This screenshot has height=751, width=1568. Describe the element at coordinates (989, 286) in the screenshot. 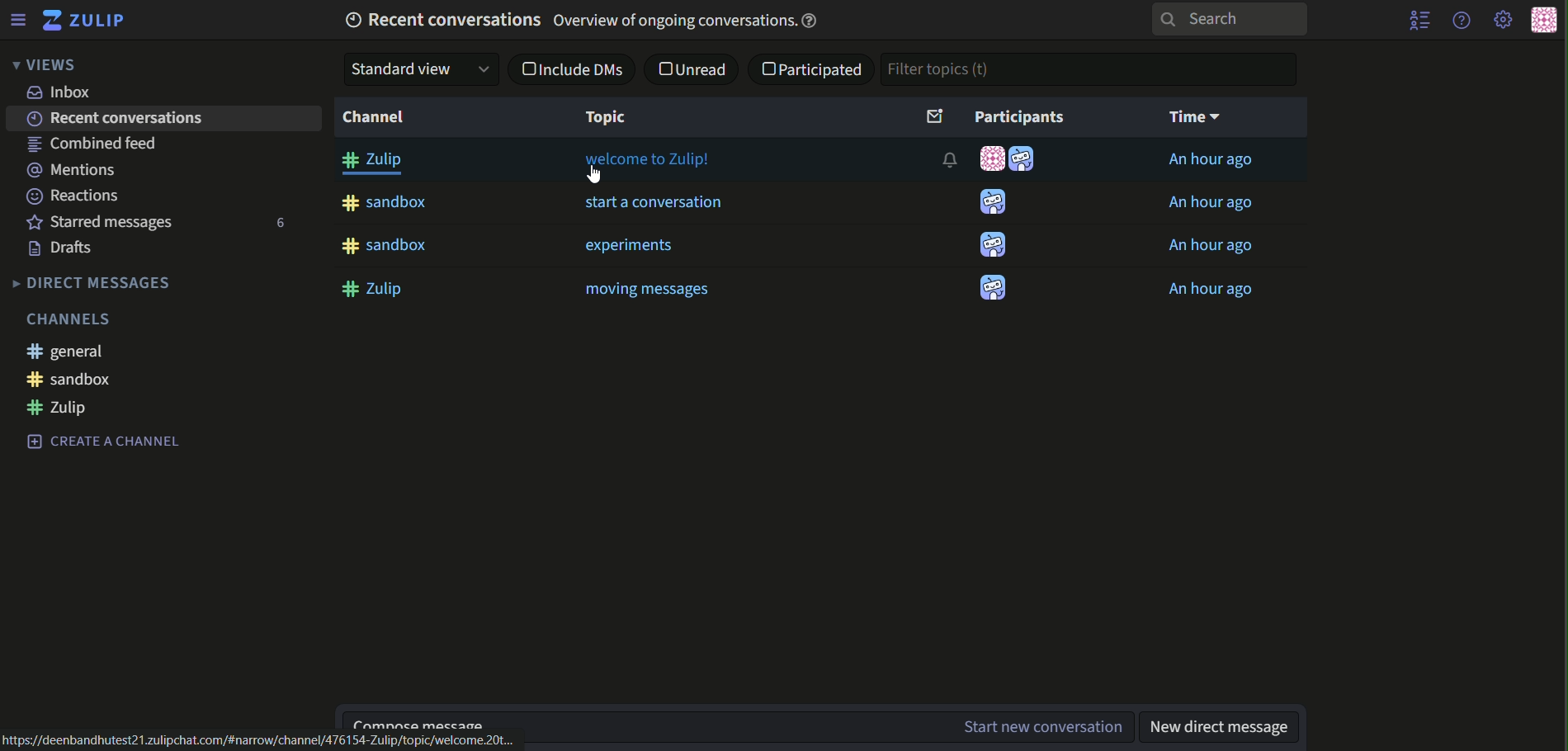

I see `icon` at that location.